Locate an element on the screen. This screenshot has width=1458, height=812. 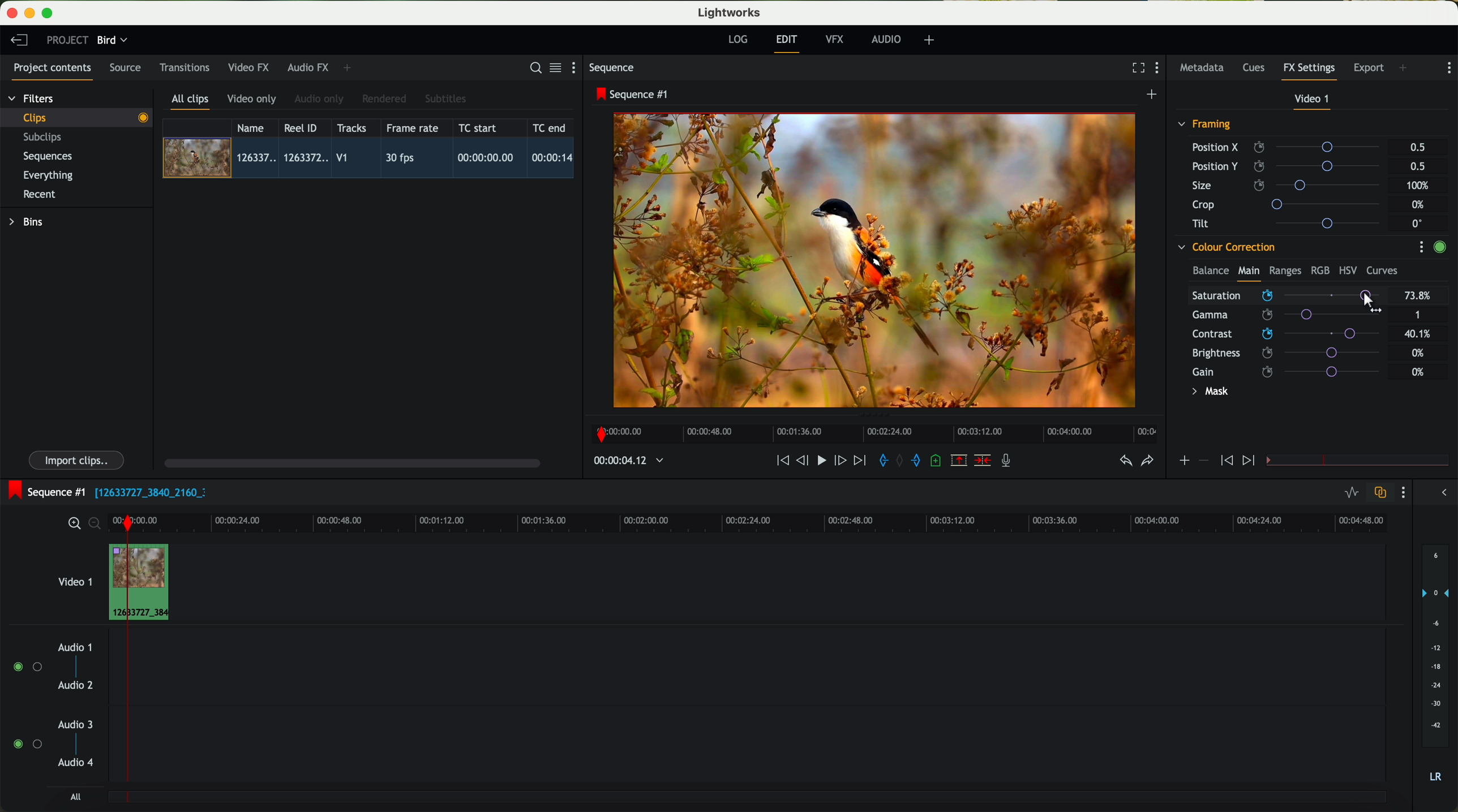
click on contrast is located at coordinates (1286, 335).